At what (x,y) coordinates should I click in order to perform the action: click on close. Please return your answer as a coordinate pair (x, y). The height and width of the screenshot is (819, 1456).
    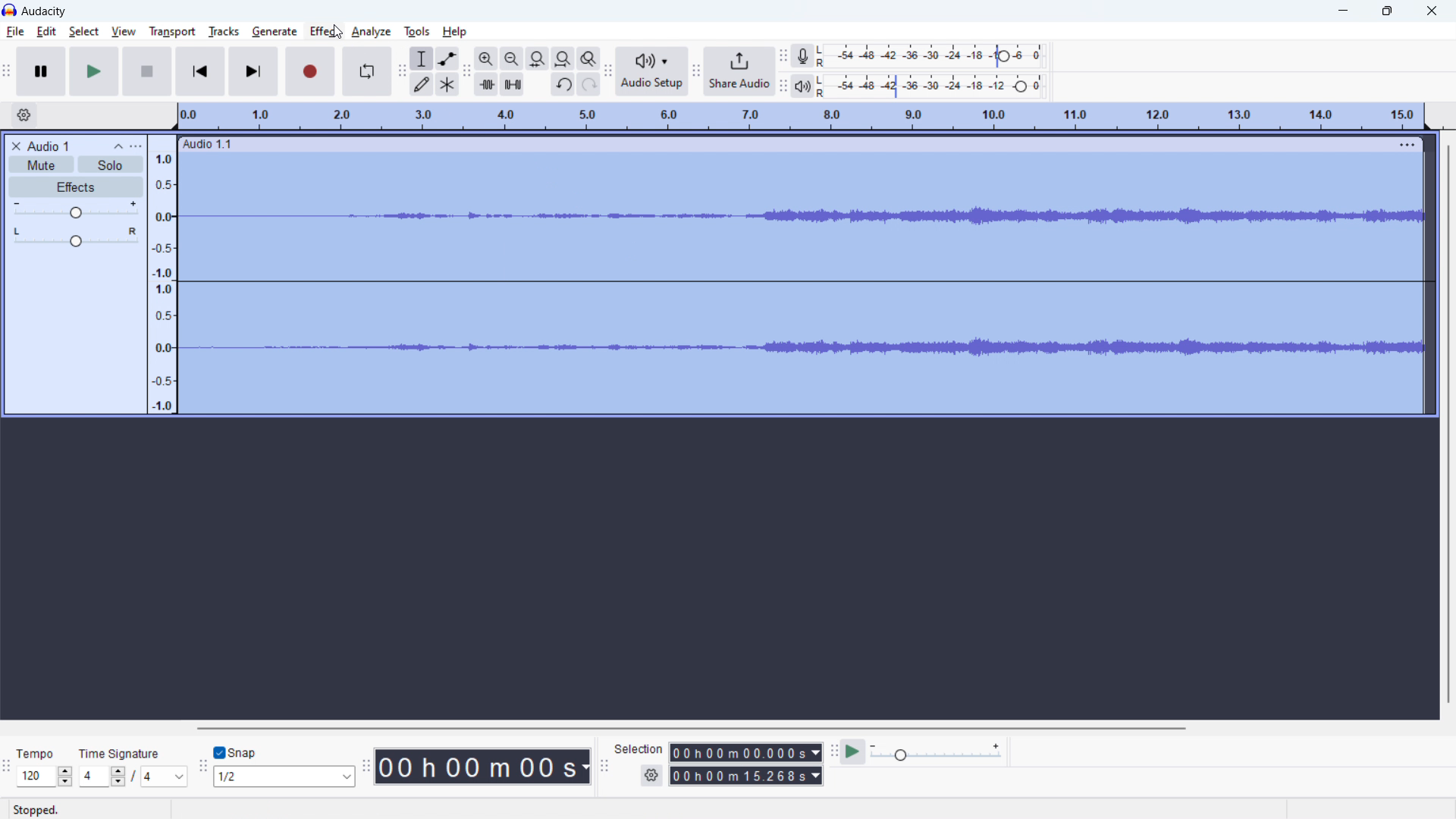
    Looking at the image, I should click on (1432, 10).